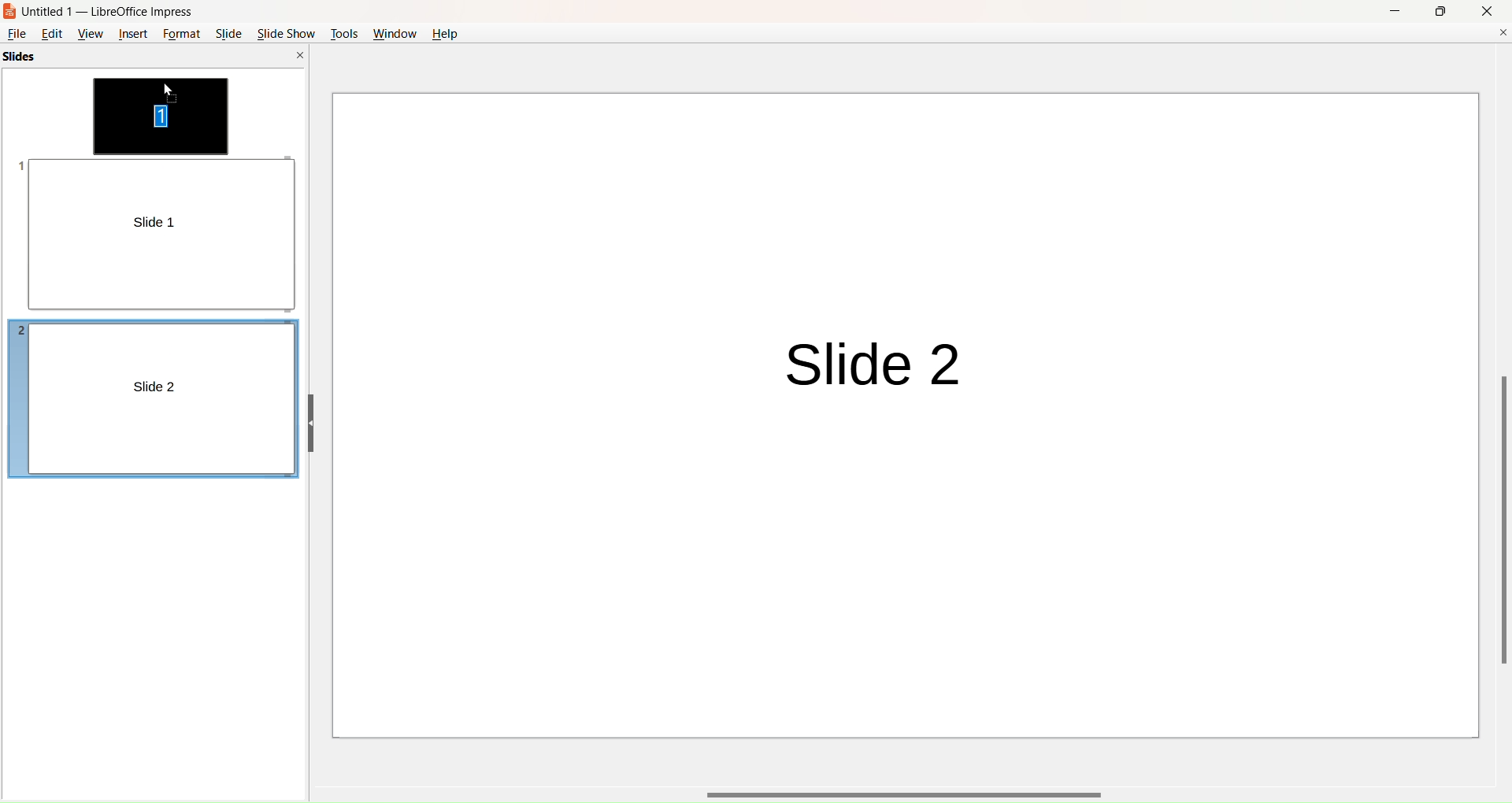 This screenshot has height=803, width=1512. Describe the element at coordinates (169, 91) in the screenshot. I see `cursor` at that location.